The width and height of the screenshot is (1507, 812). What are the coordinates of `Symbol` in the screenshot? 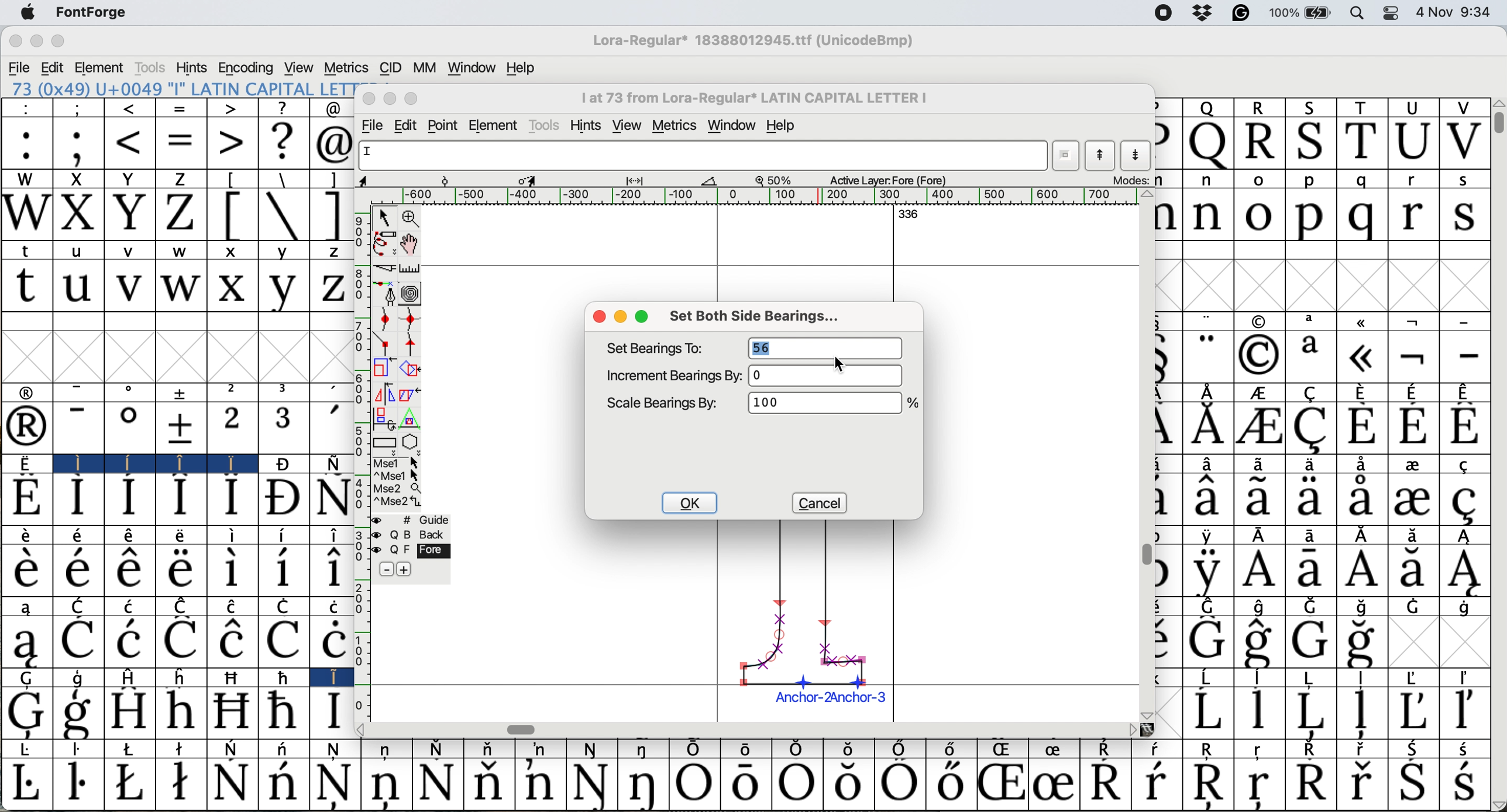 It's located at (1312, 750).